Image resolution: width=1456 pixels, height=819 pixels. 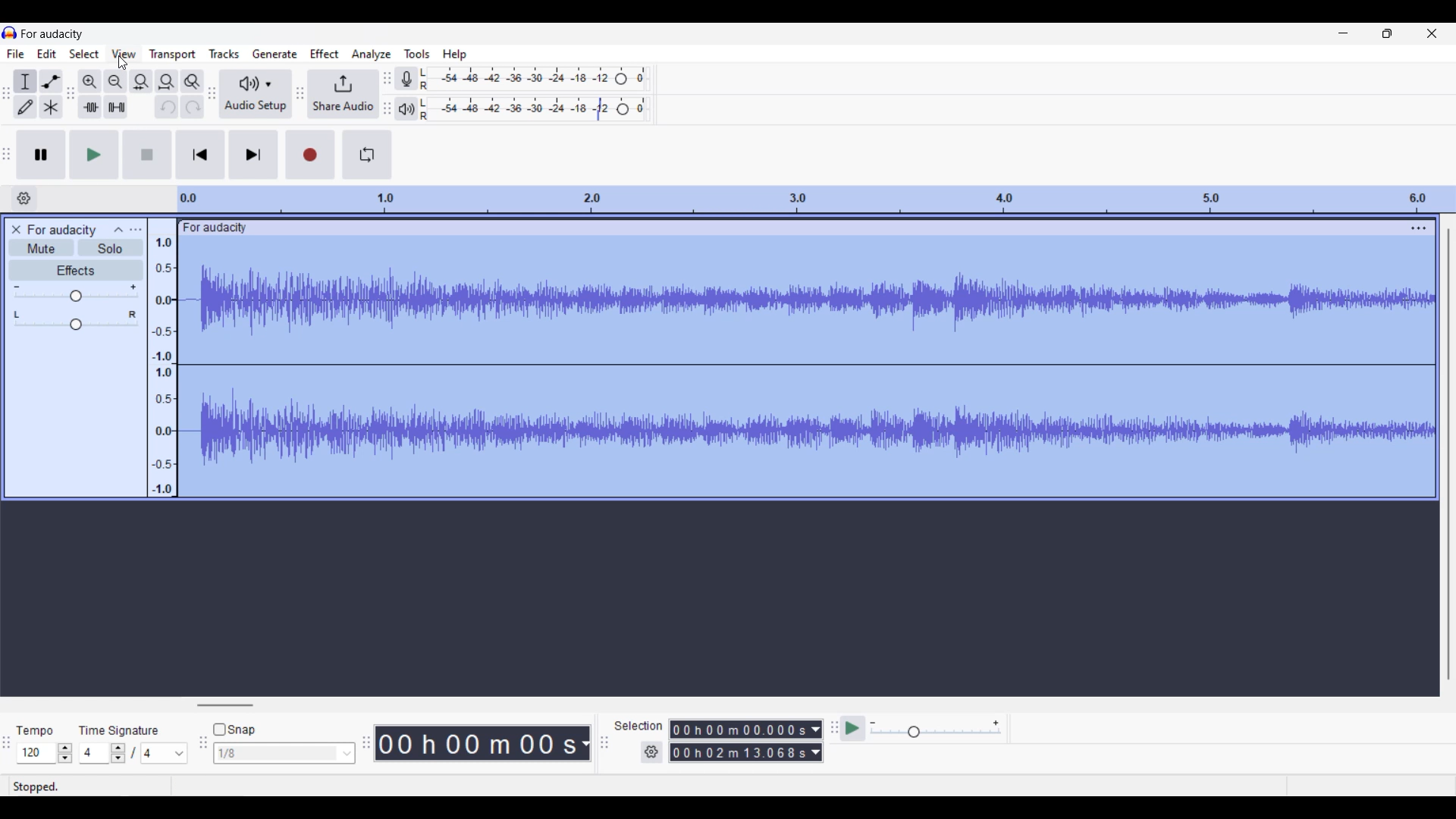 What do you see at coordinates (85, 54) in the screenshot?
I see `Select menu` at bounding box center [85, 54].